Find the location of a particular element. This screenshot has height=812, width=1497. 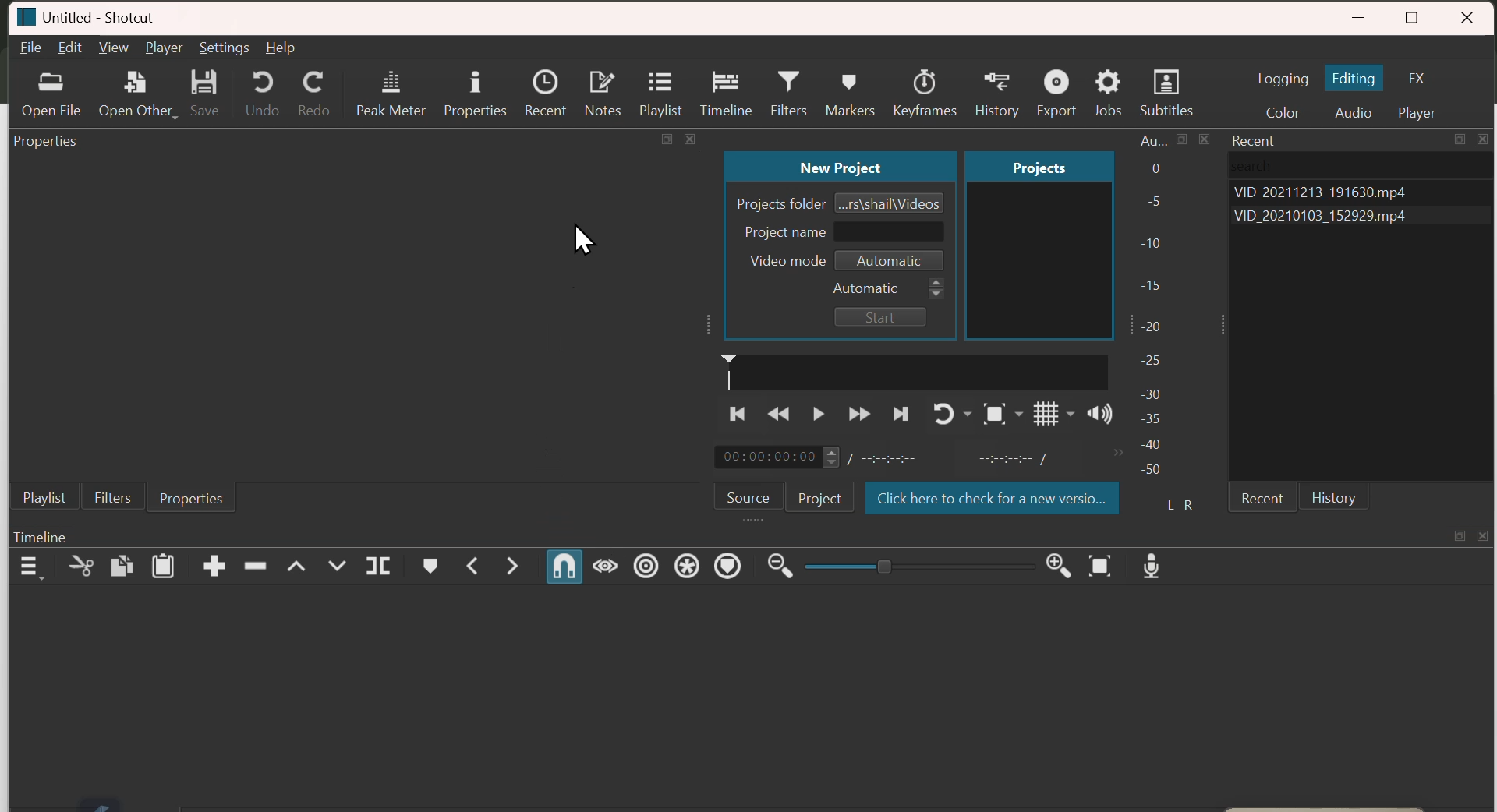

paste is located at coordinates (163, 566).